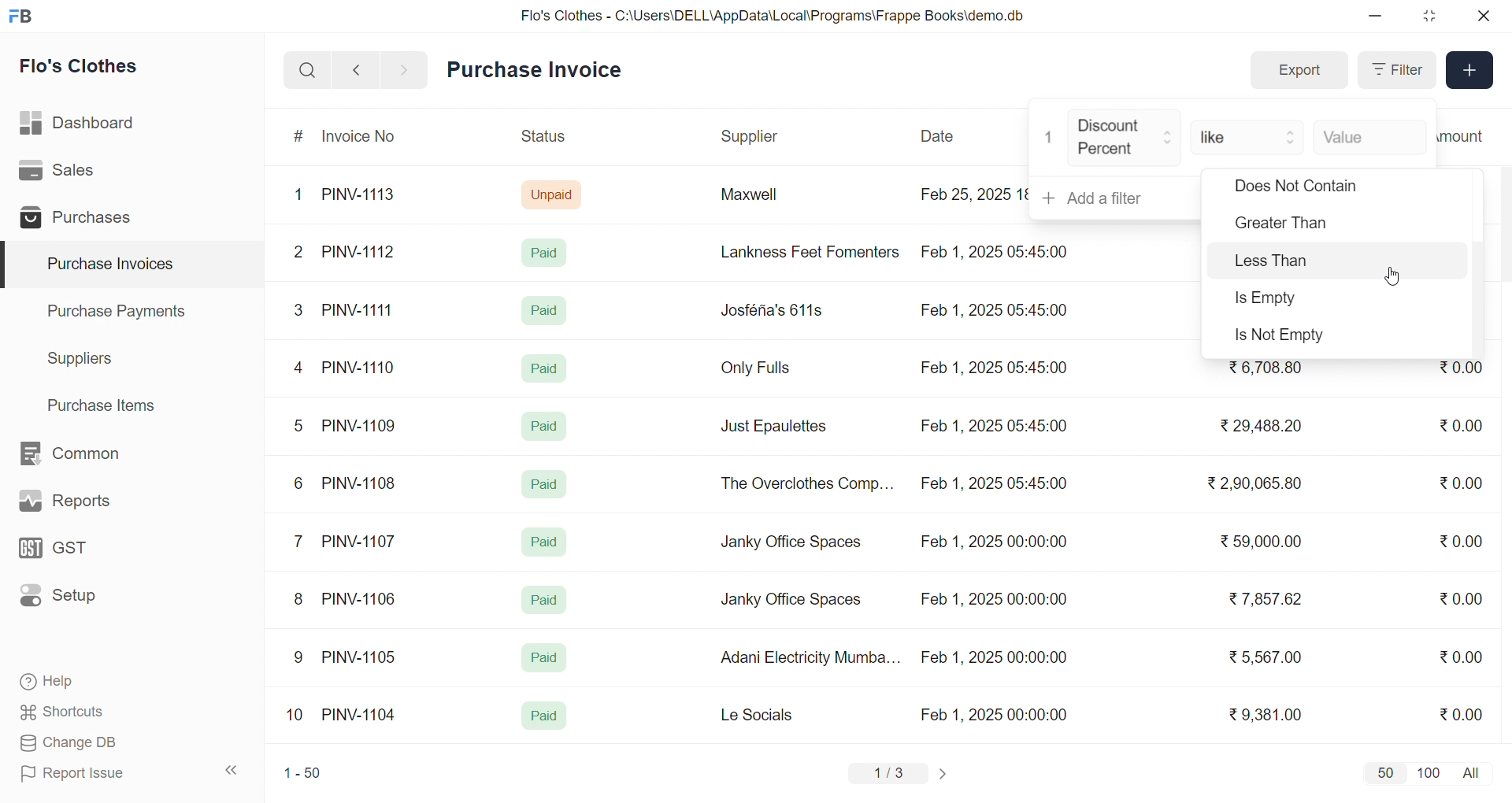 The image size is (1512, 803). What do you see at coordinates (83, 358) in the screenshot?
I see `Suppliers` at bounding box center [83, 358].